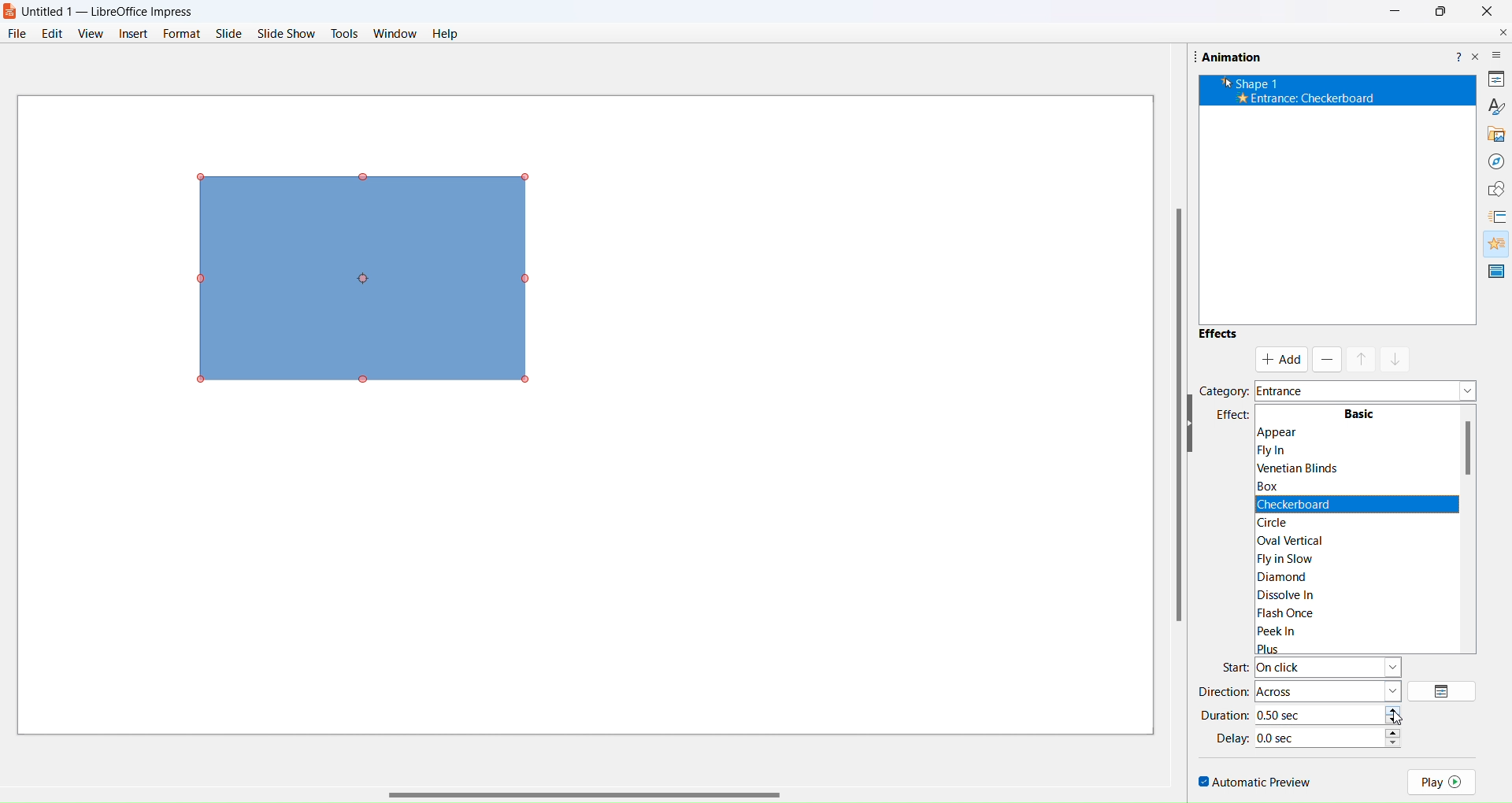  What do you see at coordinates (1228, 715) in the screenshot?
I see `duration` at bounding box center [1228, 715].